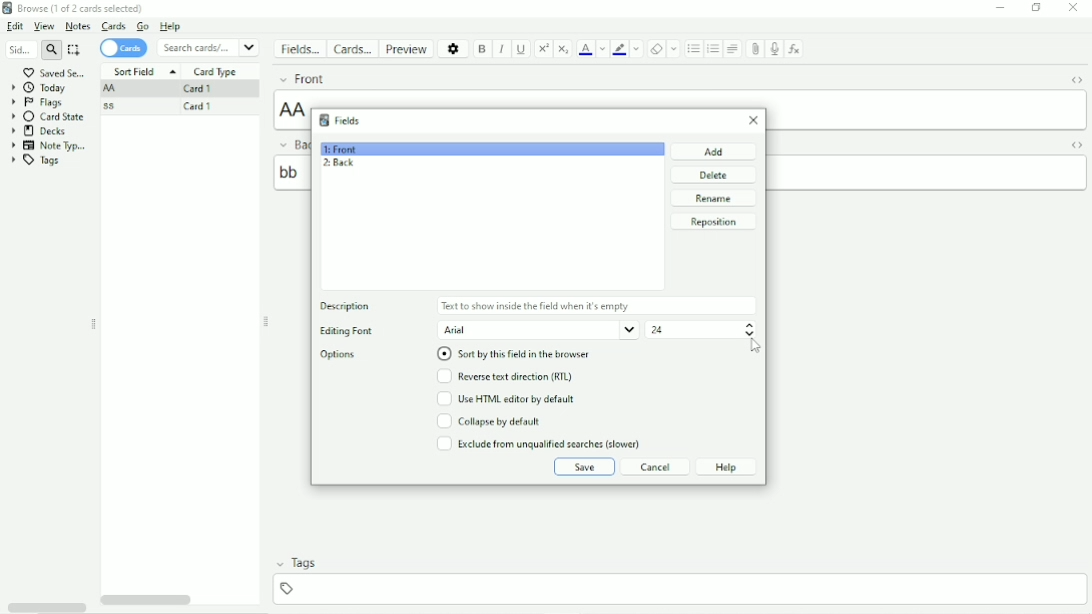  I want to click on Saved Search, so click(57, 72).